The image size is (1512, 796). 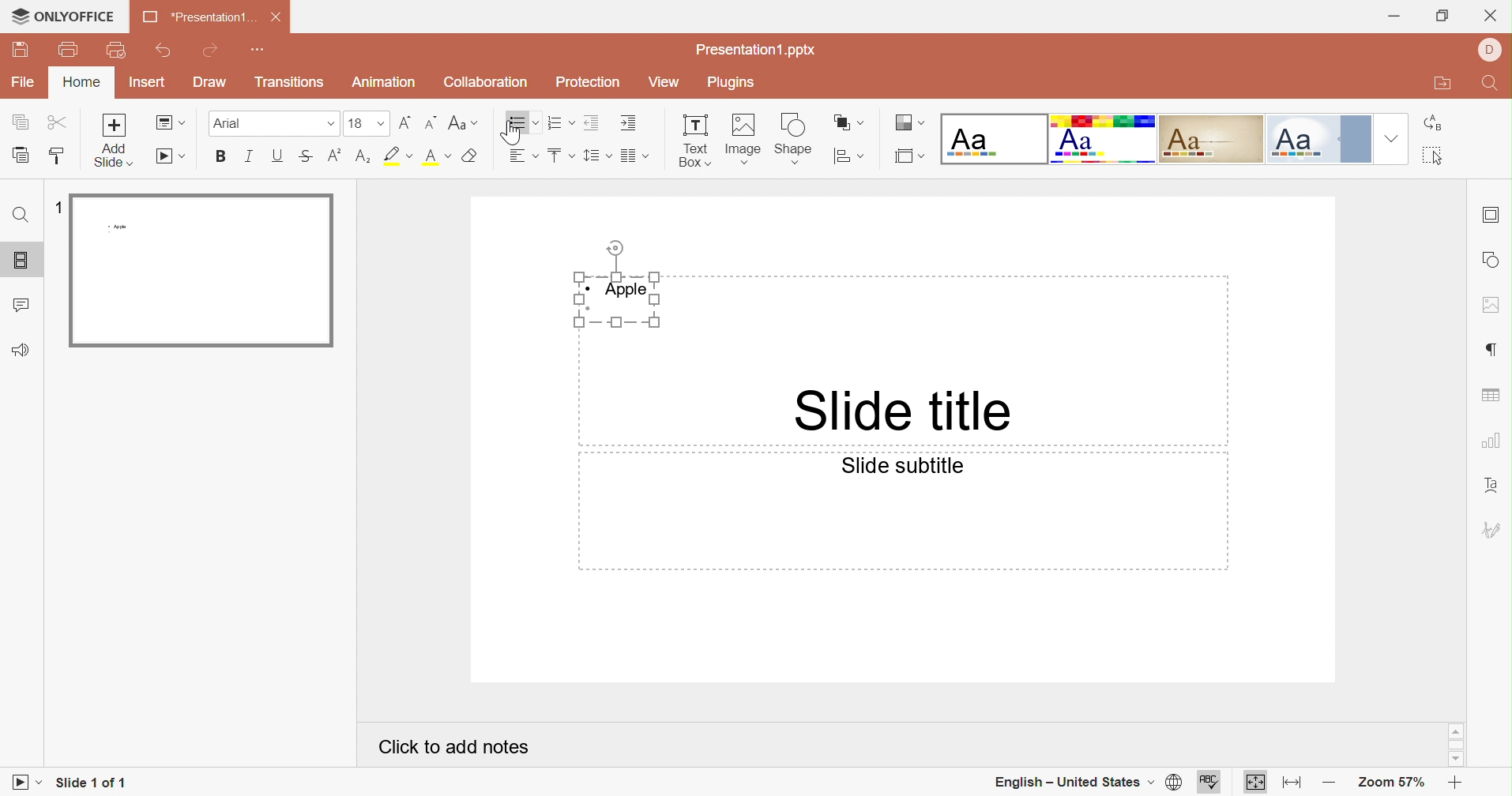 What do you see at coordinates (363, 155) in the screenshot?
I see `Subscript` at bounding box center [363, 155].